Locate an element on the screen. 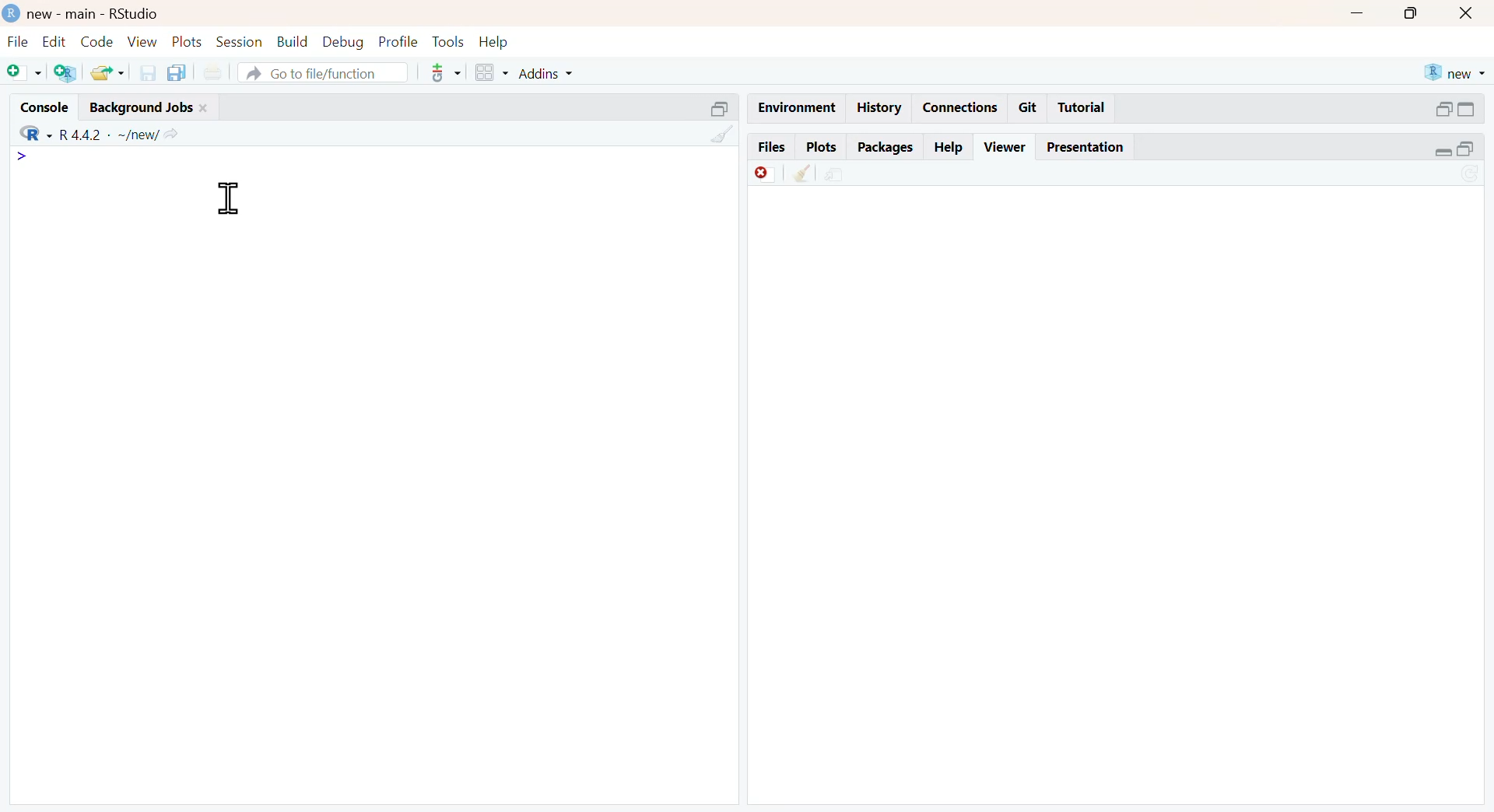 This screenshot has height=812, width=1494. maximise is located at coordinates (1409, 13).